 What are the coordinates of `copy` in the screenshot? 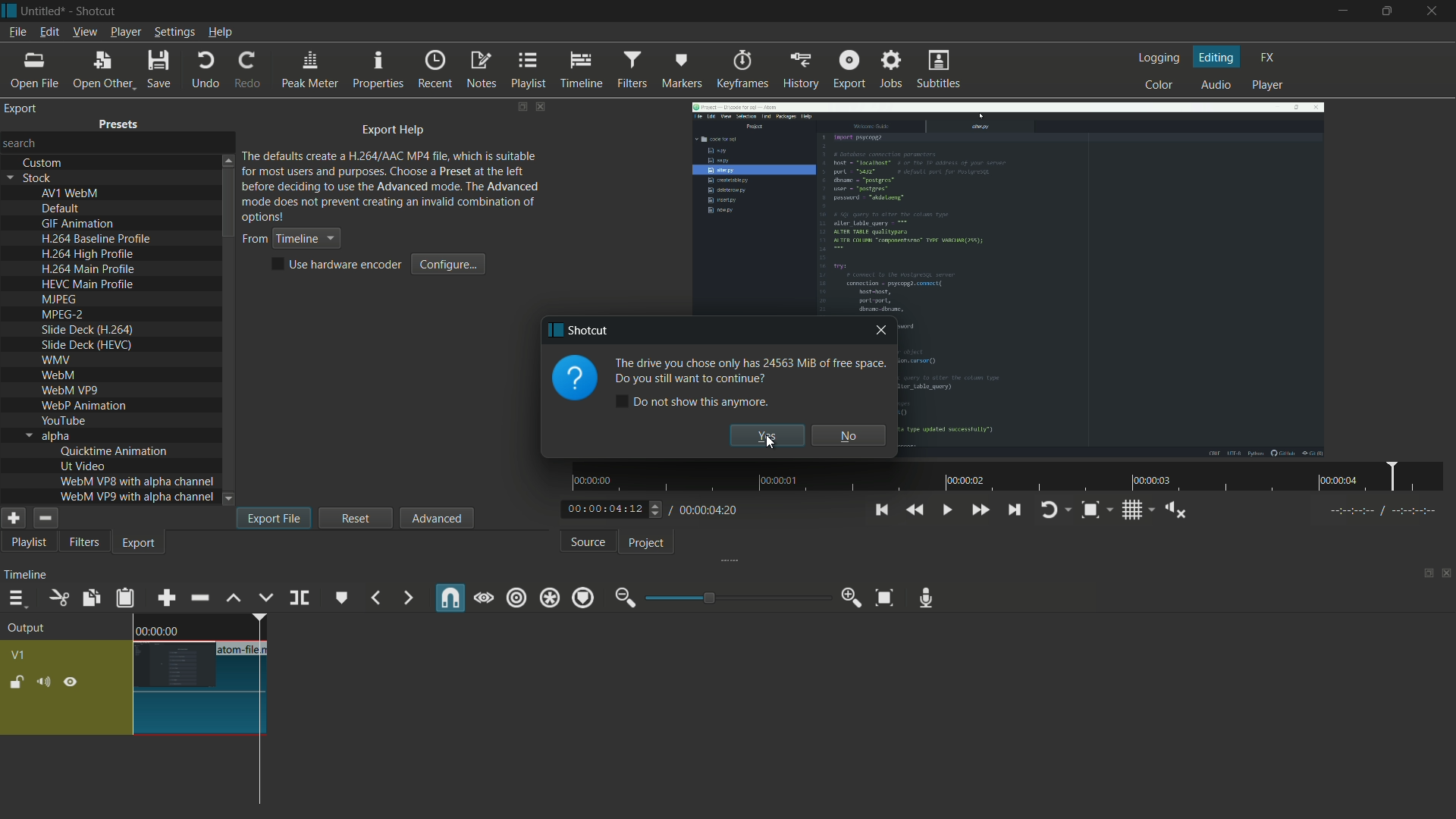 It's located at (88, 598).